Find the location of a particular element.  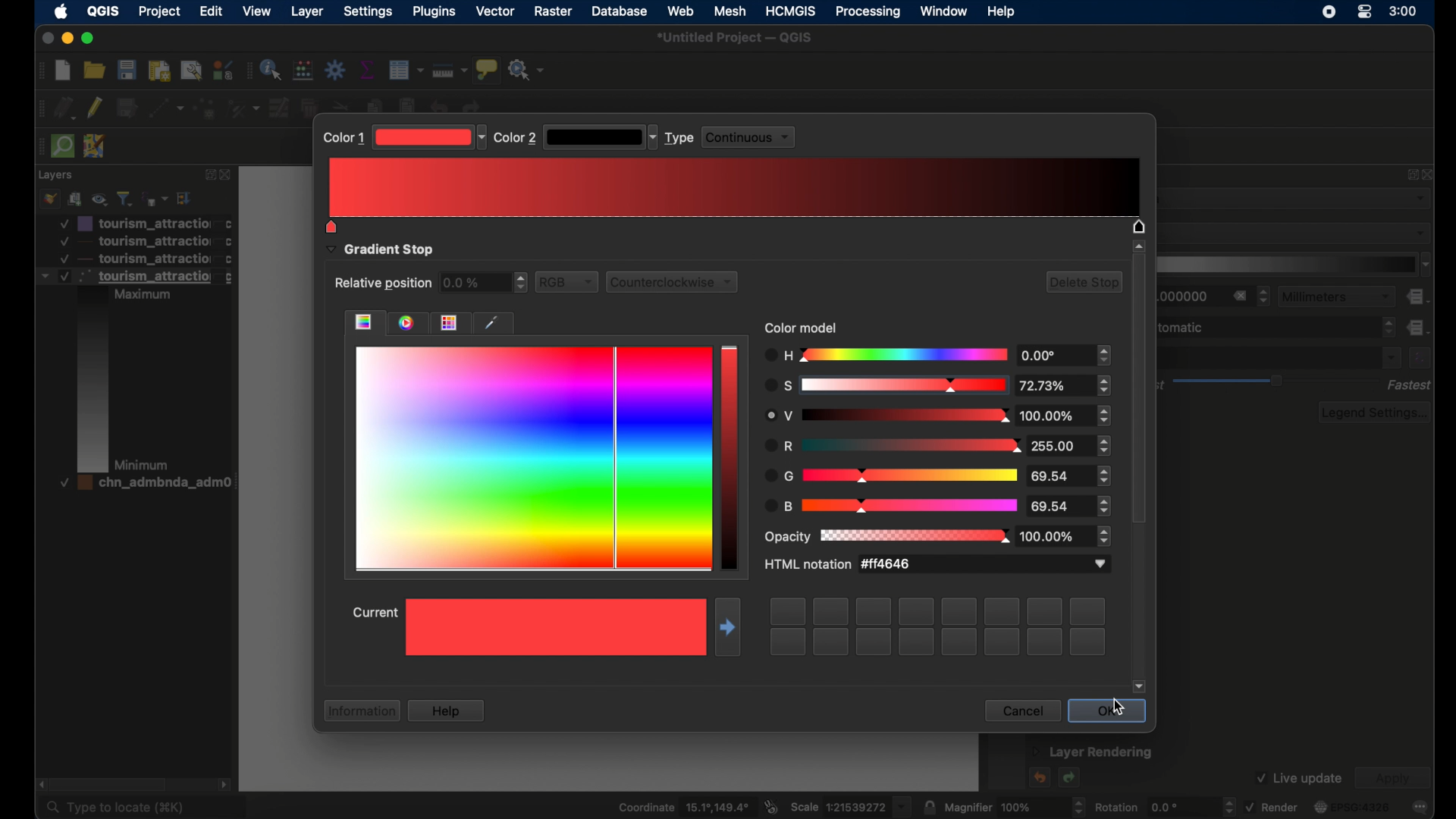

color changed is located at coordinates (905, 415).